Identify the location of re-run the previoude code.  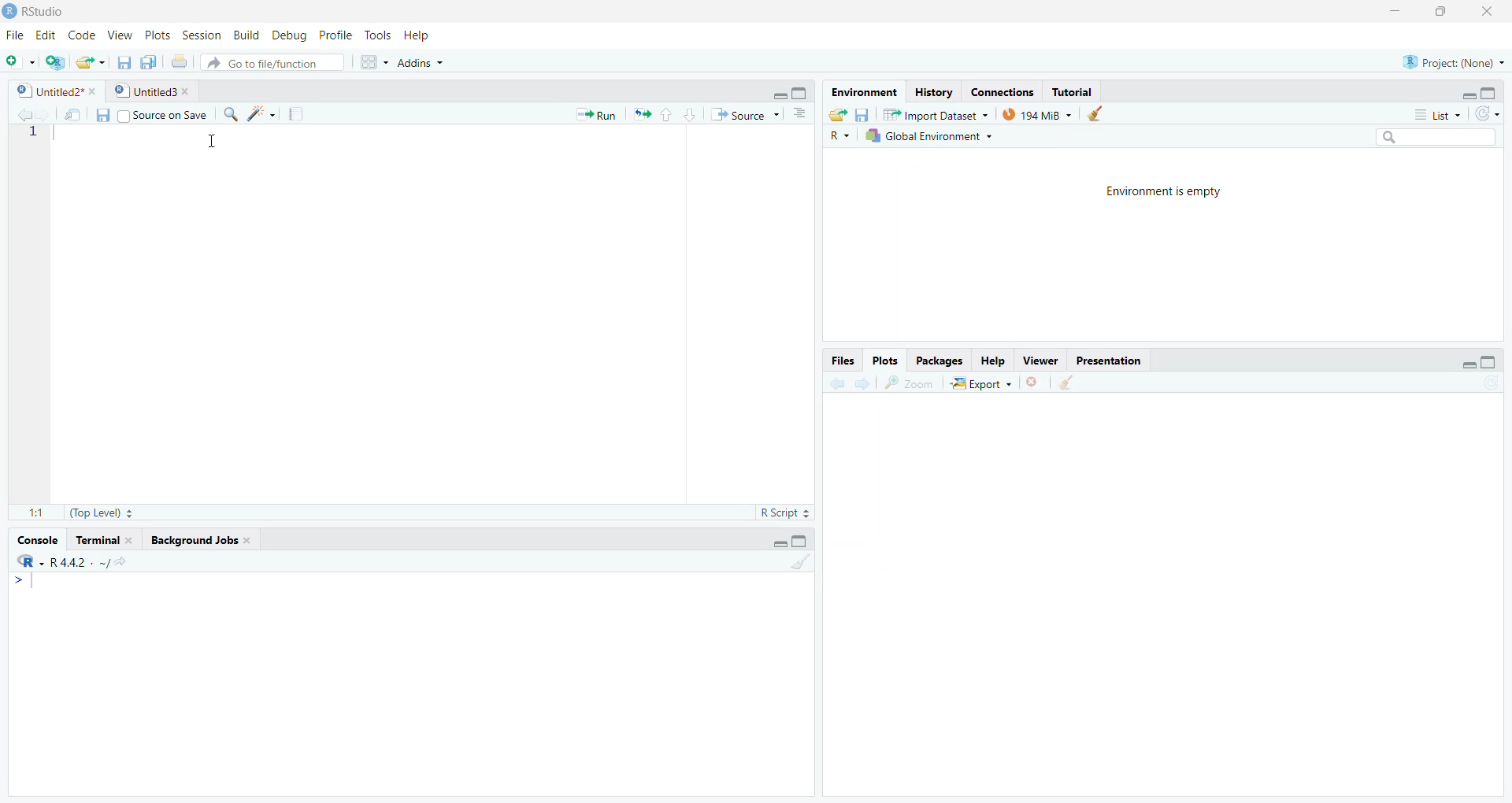
(642, 115).